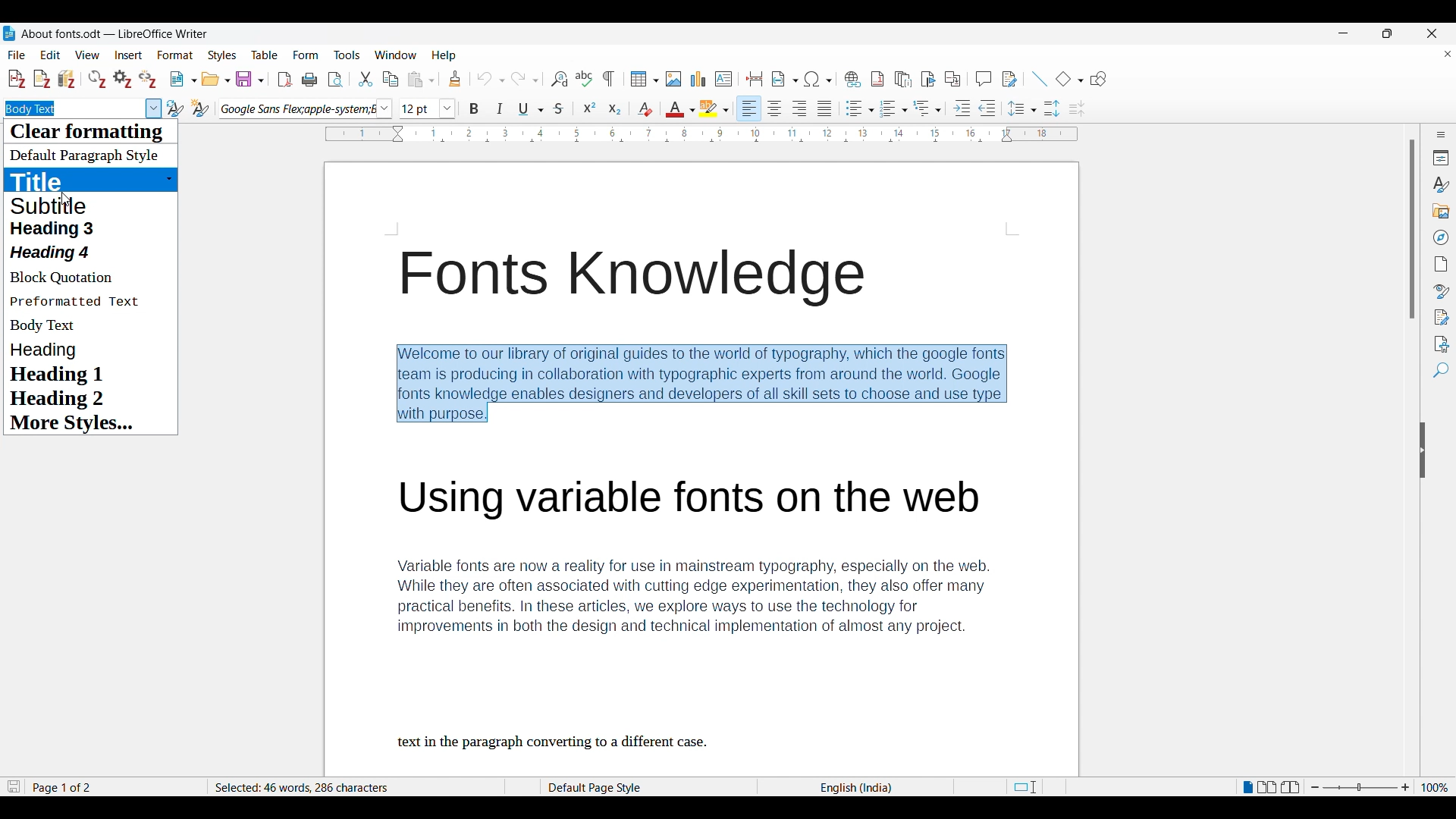 The image size is (1456, 819). What do you see at coordinates (1099, 78) in the screenshot?
I see `Show draw functions` at bounding box center [1099, 78].